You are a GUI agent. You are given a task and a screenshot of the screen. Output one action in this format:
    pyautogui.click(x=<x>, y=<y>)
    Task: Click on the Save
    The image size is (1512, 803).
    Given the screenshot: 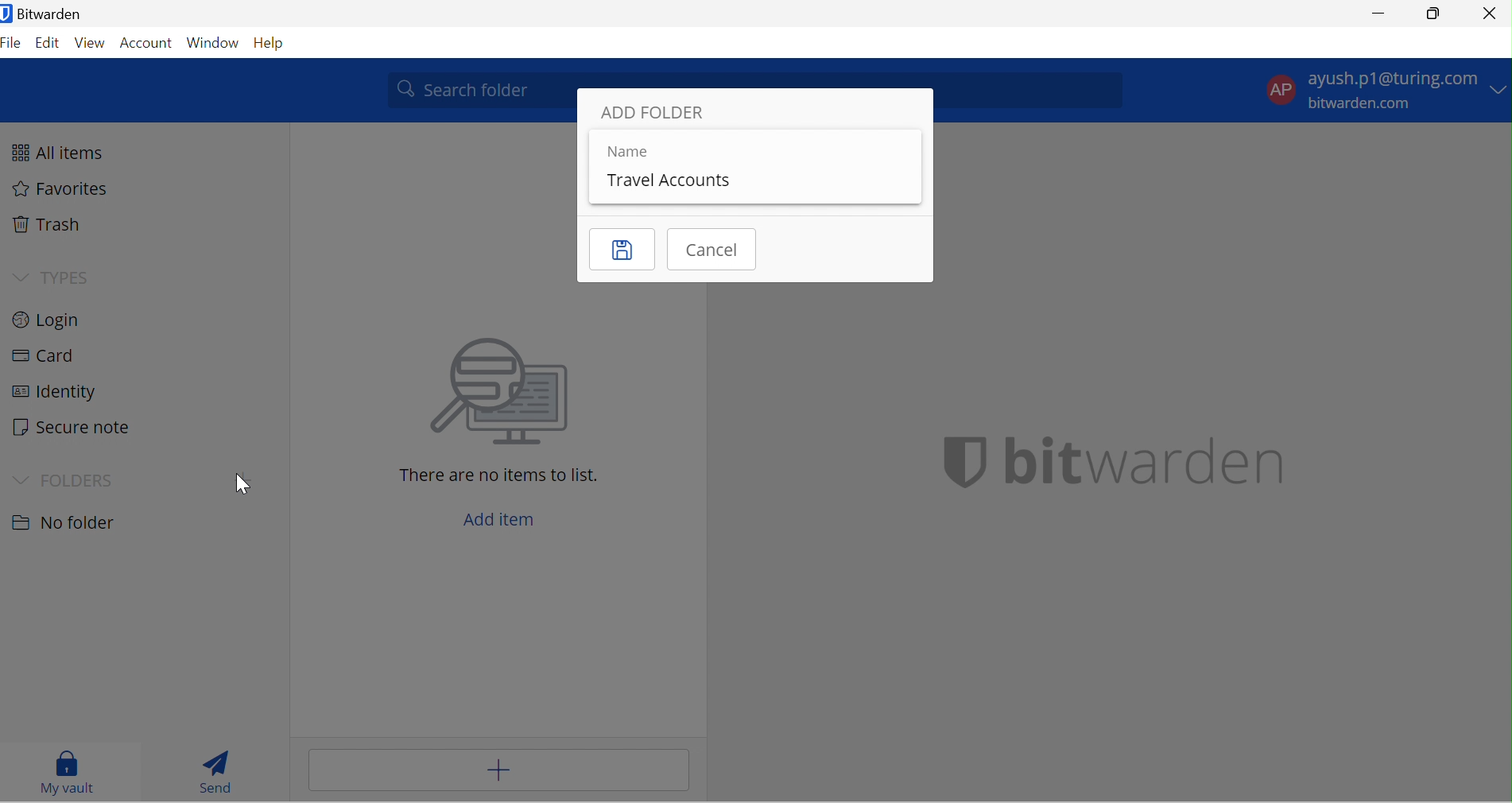 What is the action you would take?
    pyautogui.click(x=622, y=248)
    